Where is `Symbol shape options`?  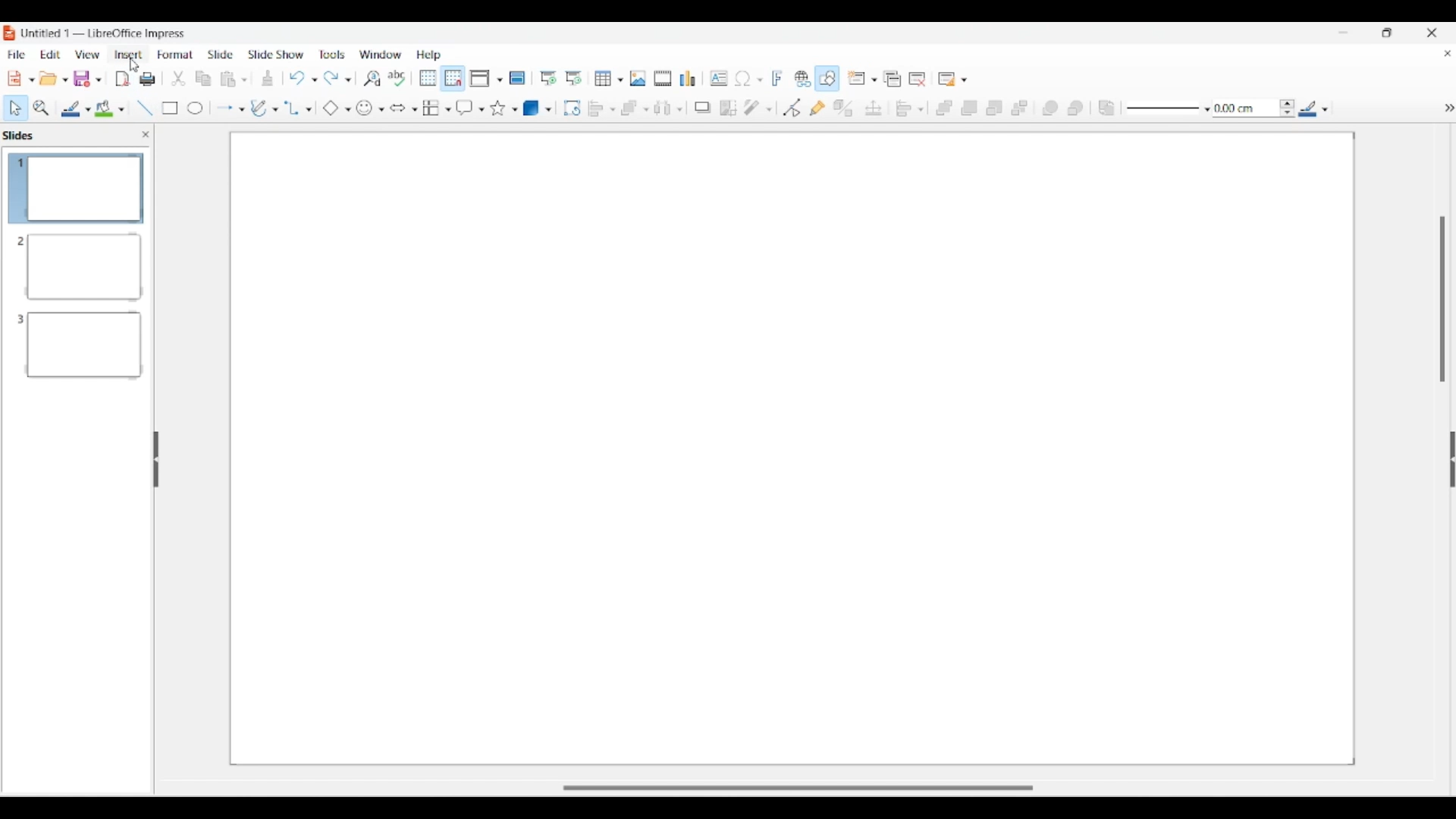 Symbol shape options is located at coordinates (371, 108).